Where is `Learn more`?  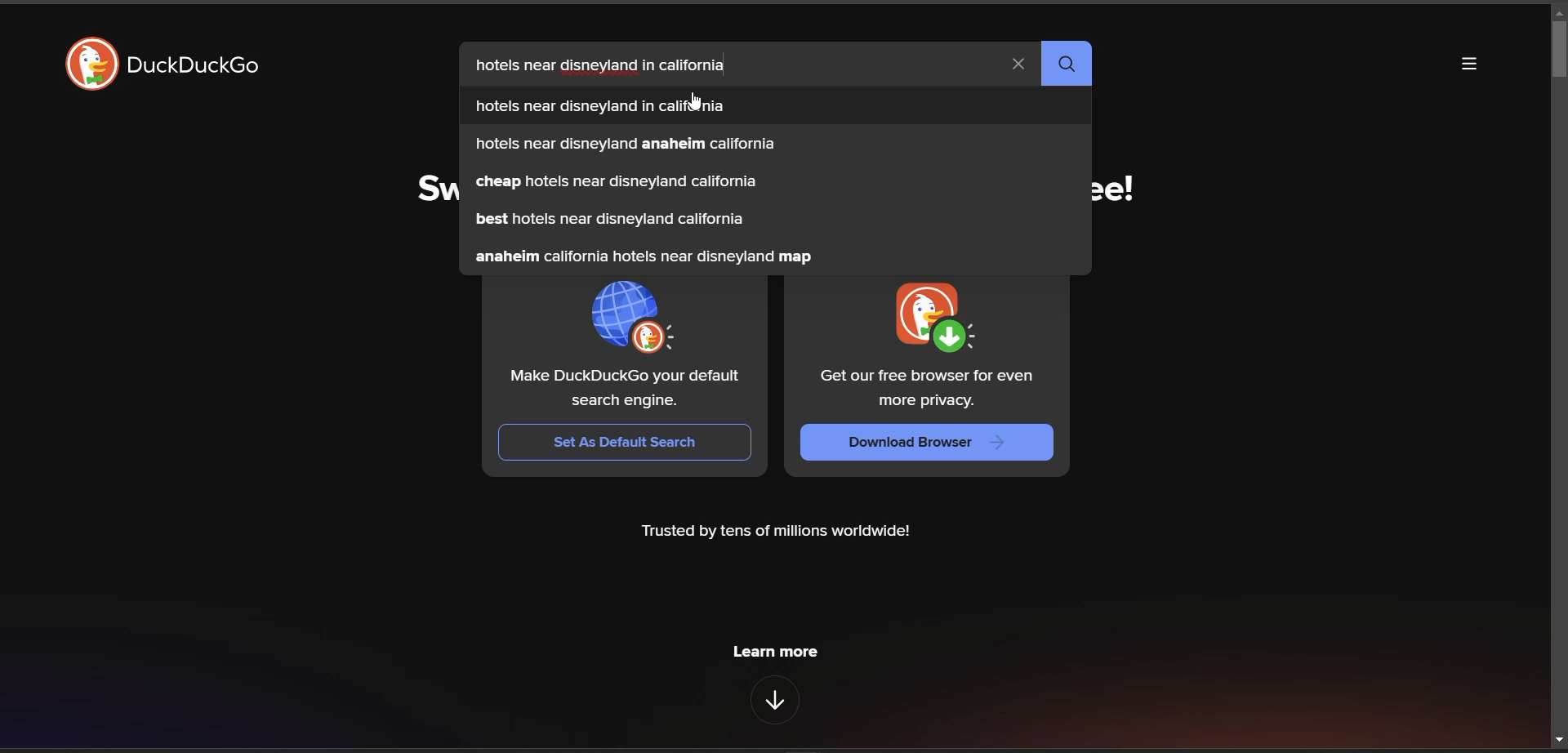
Learn more is located at coordinates (773, 652).